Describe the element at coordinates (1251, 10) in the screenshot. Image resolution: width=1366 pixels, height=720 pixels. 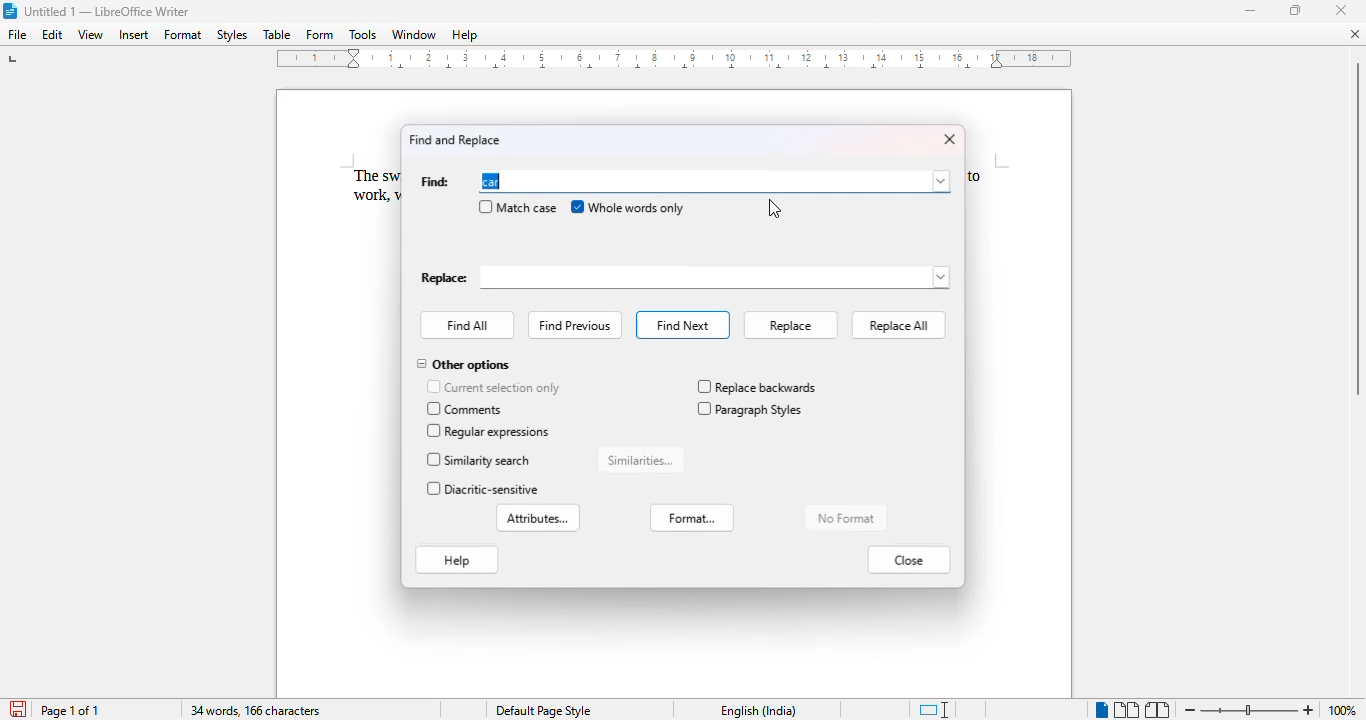
I see `minimize` at that location.